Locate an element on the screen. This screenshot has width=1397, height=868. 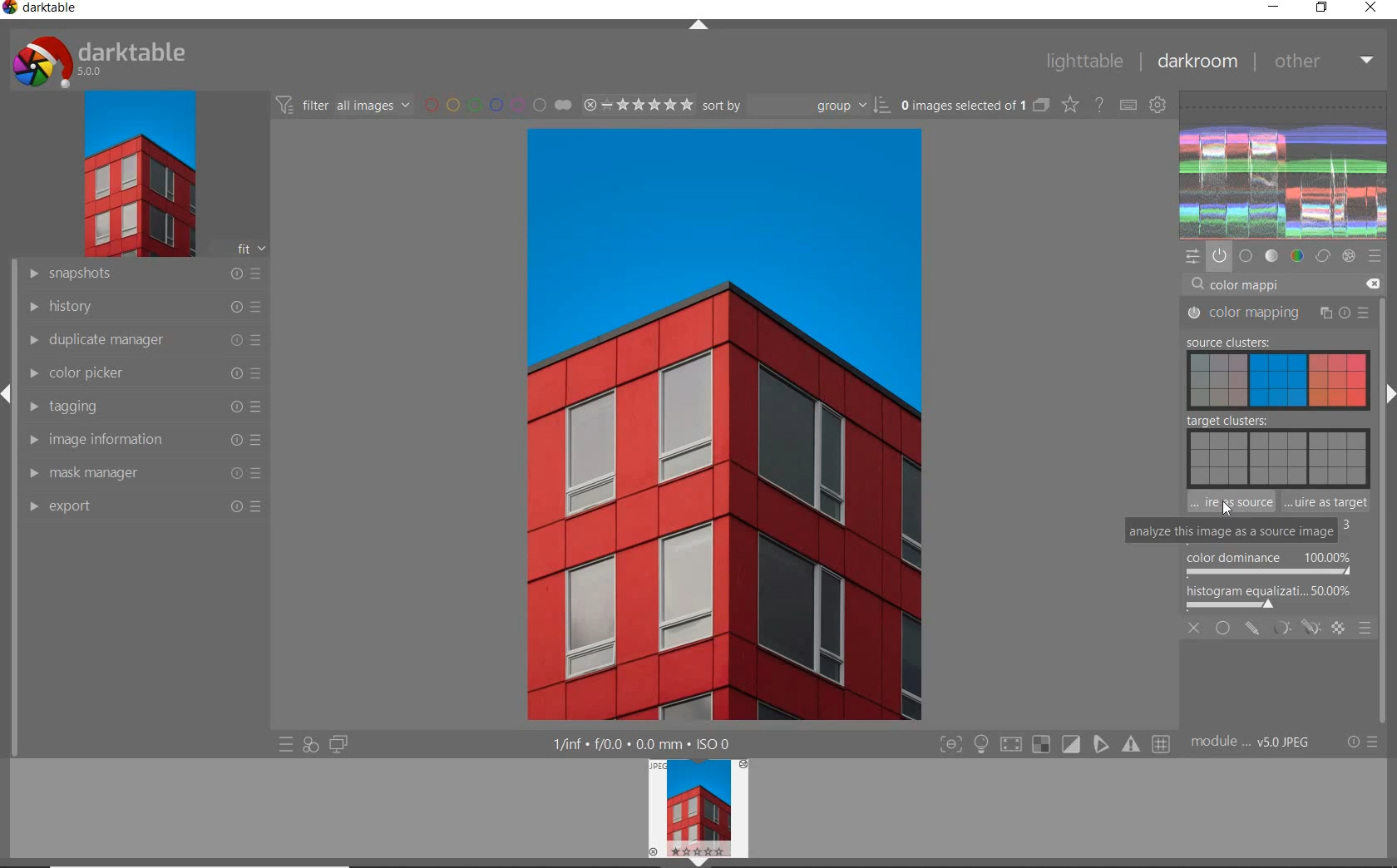
darktable is located at coordinates (49, 11).